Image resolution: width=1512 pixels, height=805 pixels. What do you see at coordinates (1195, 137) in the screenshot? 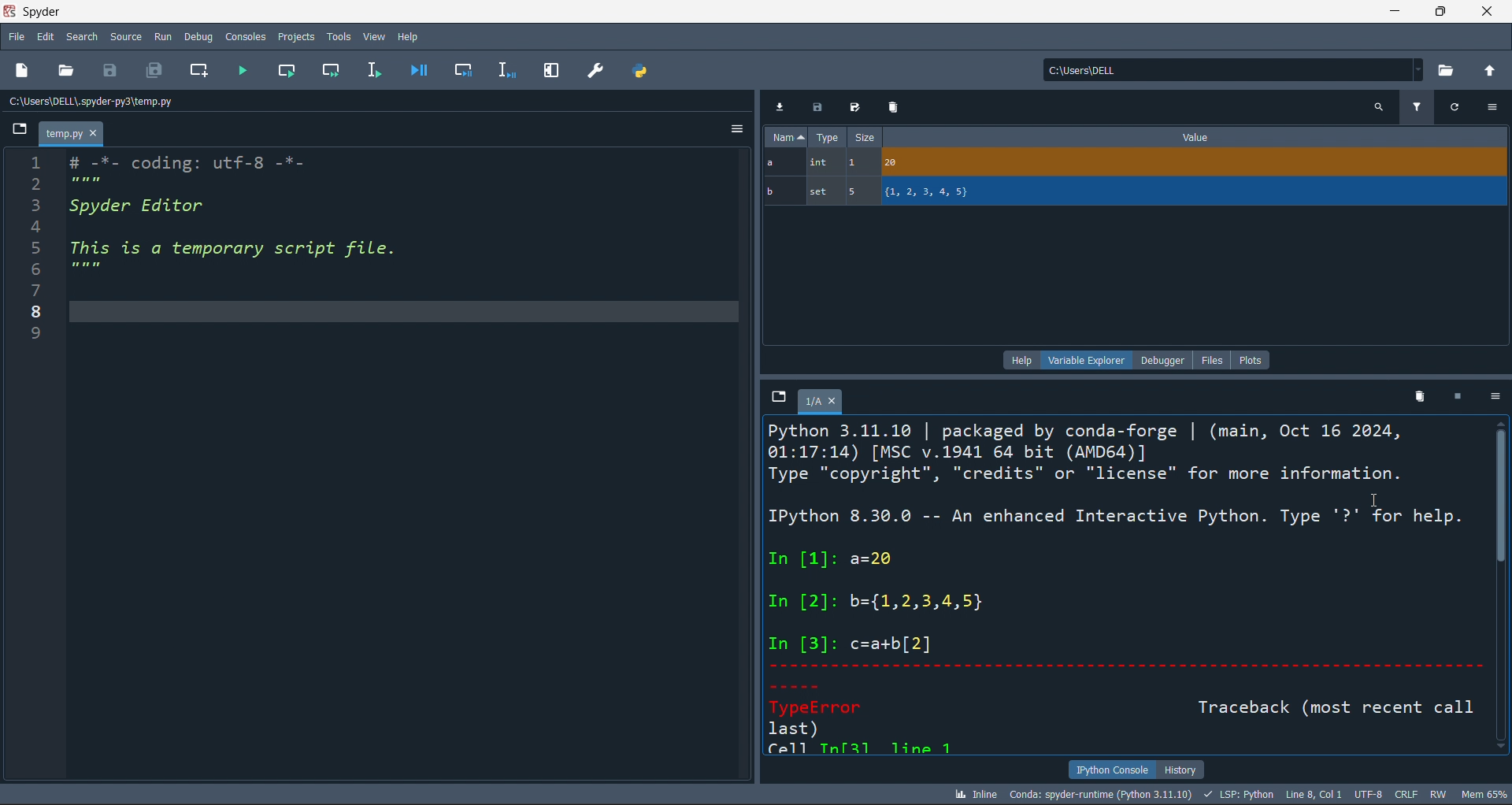
I see `value` at bounding box center [1195, 137].